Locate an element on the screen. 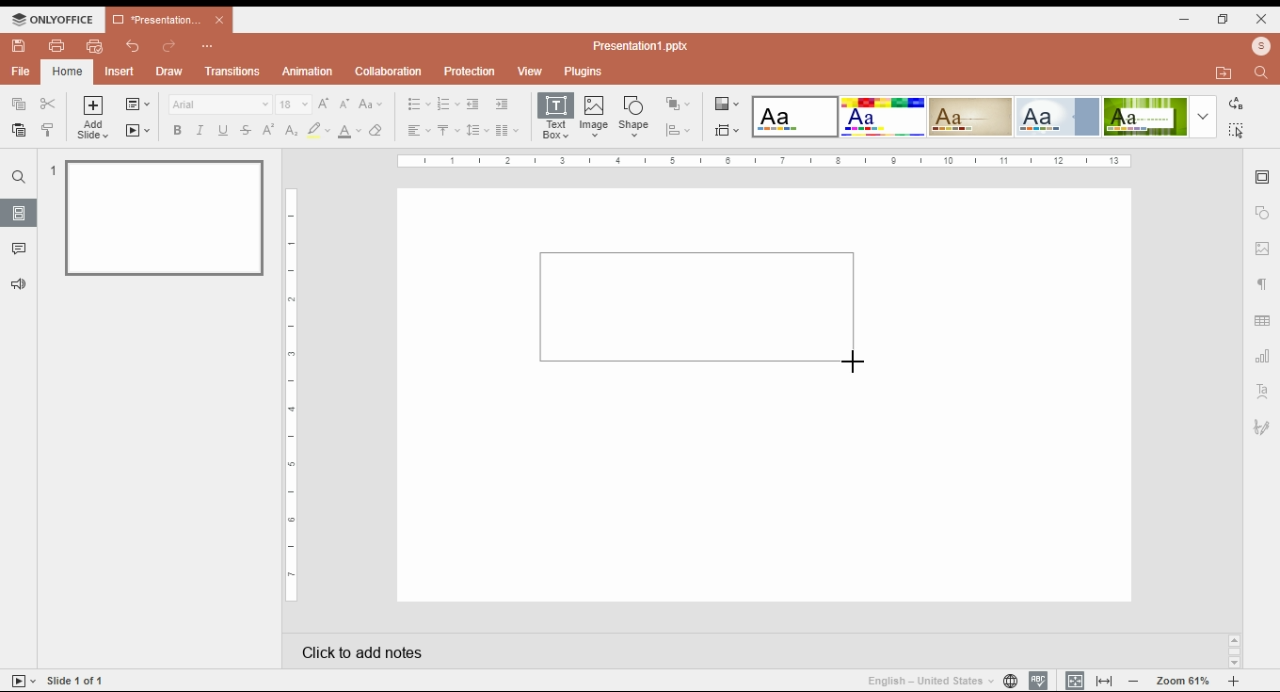  plugins is located at coordinates (582, 71).